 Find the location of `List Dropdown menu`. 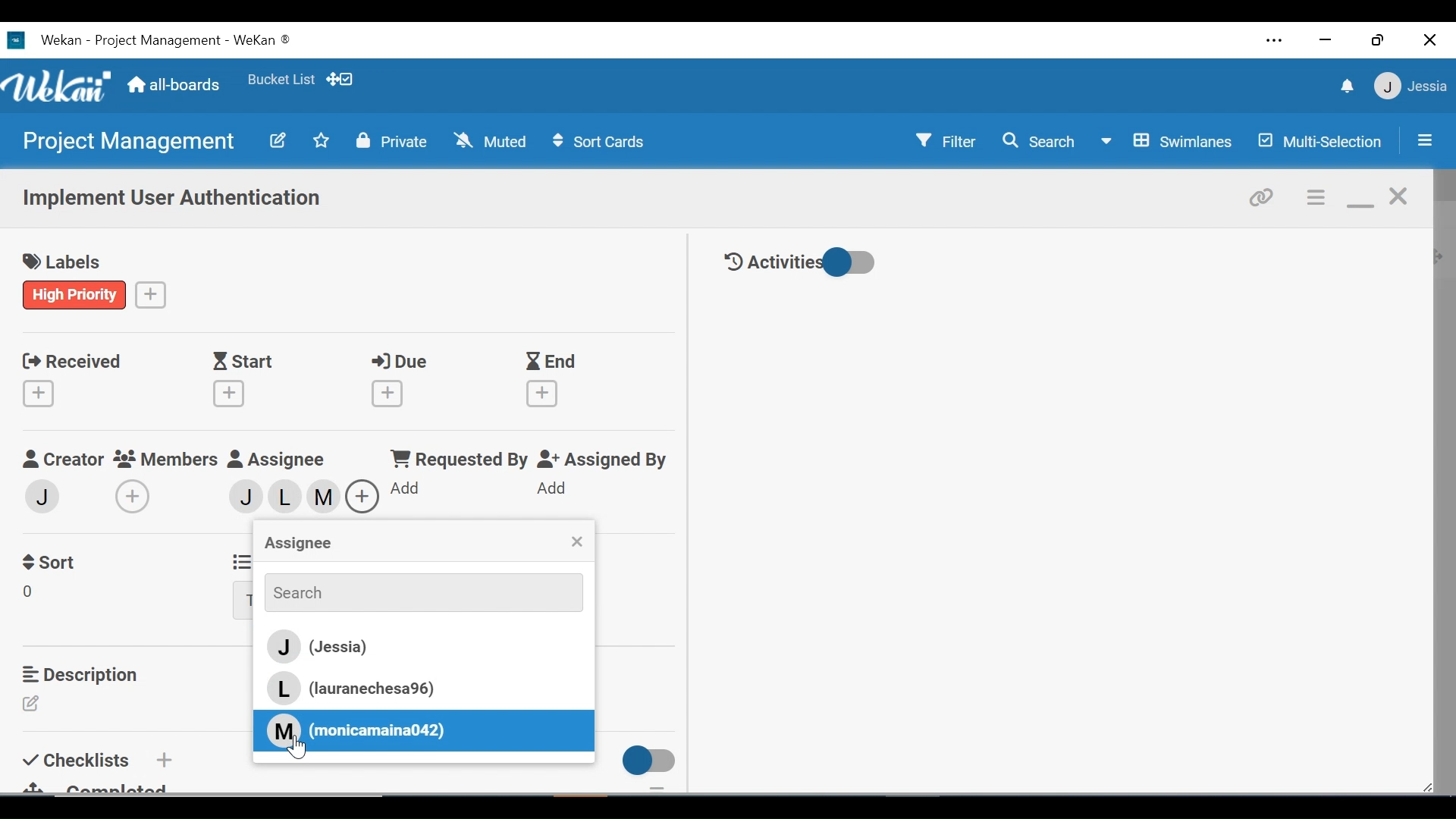

List Dropdown menu is located at coordinates (243, 601).